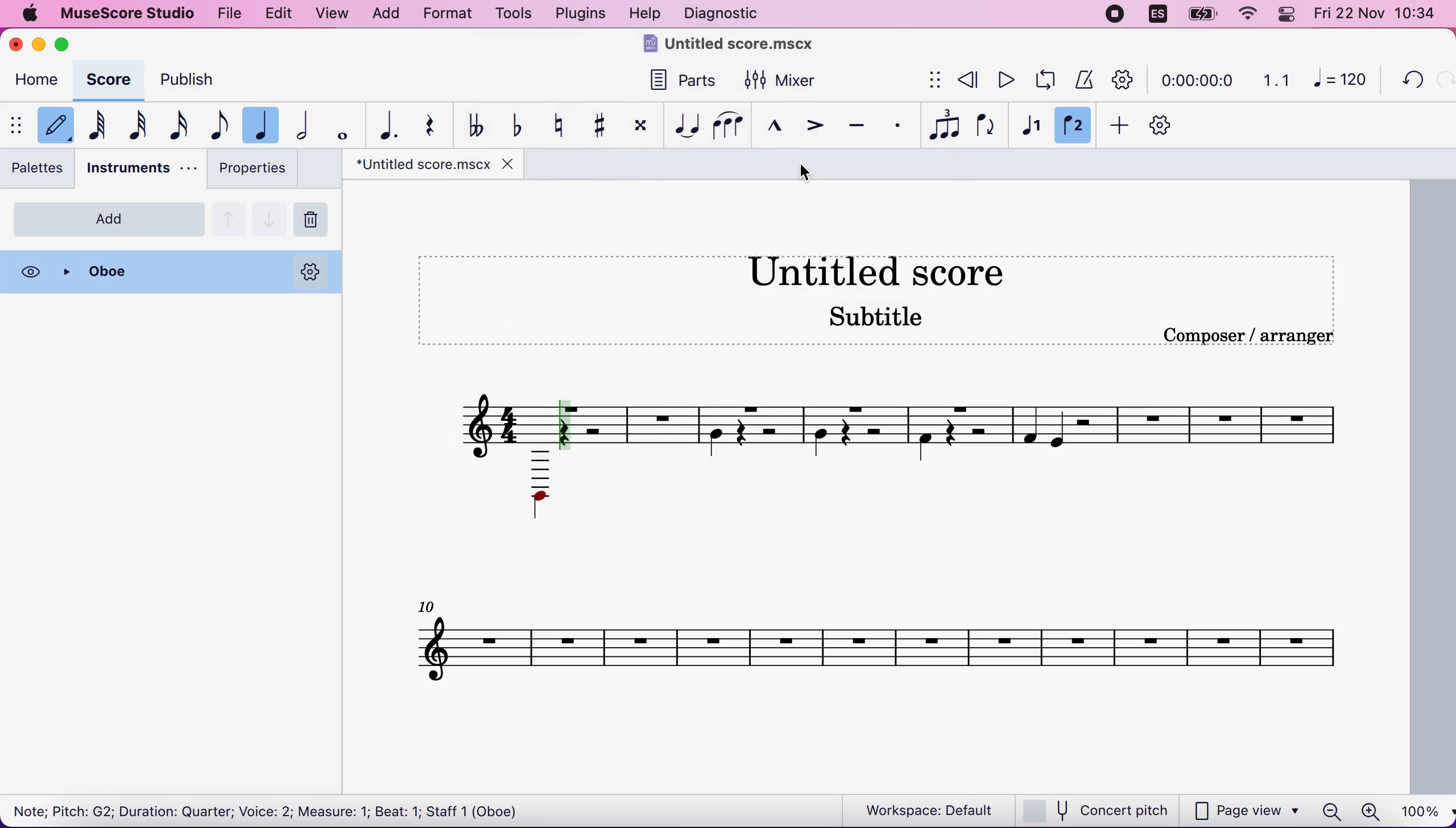 Image resolution: width=1456 pixels, height=828 pixels. I want to click on whole note, so click(343, 125).